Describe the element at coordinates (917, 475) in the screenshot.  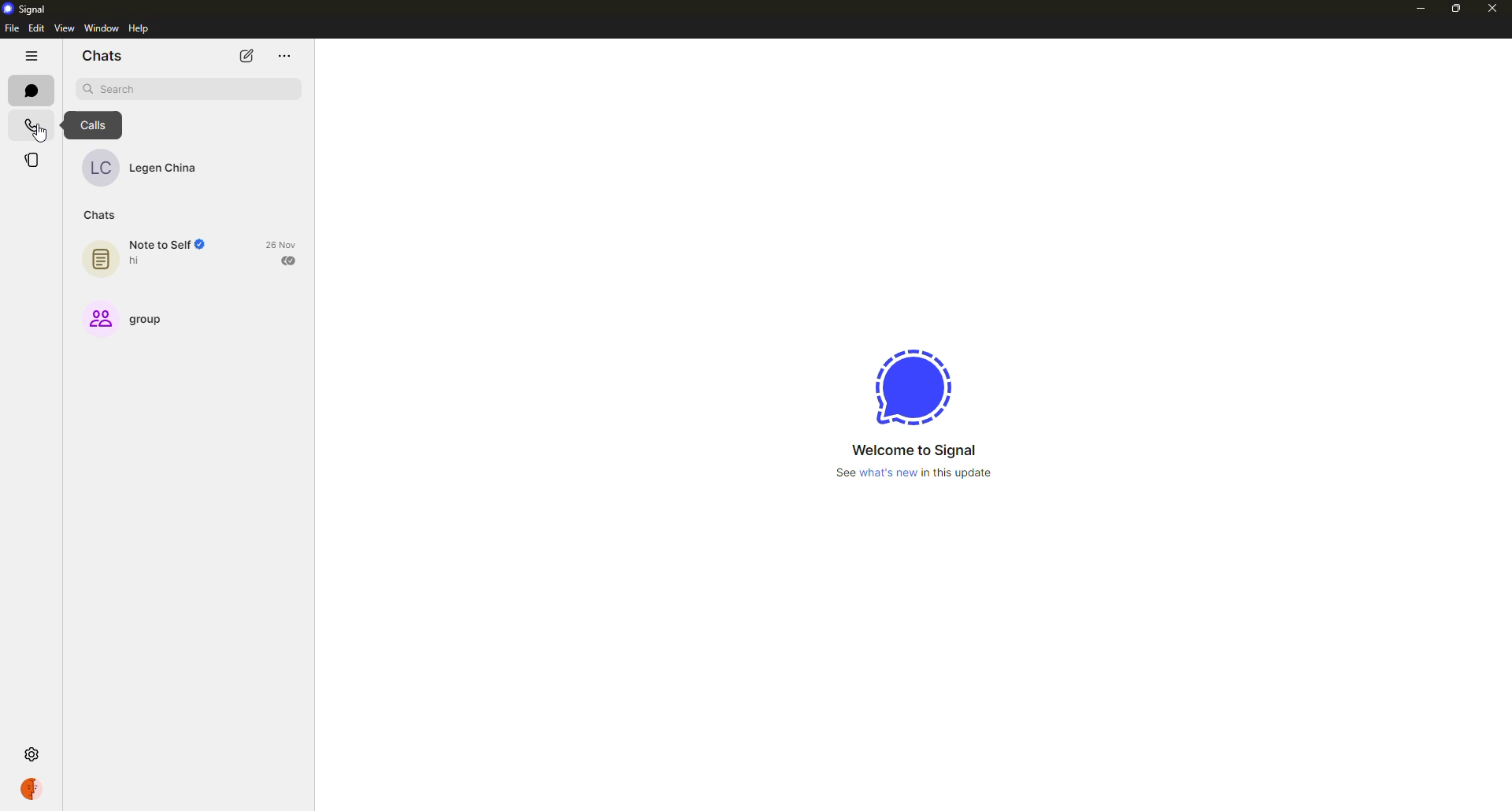
I see `See what's new in this update` at that location.